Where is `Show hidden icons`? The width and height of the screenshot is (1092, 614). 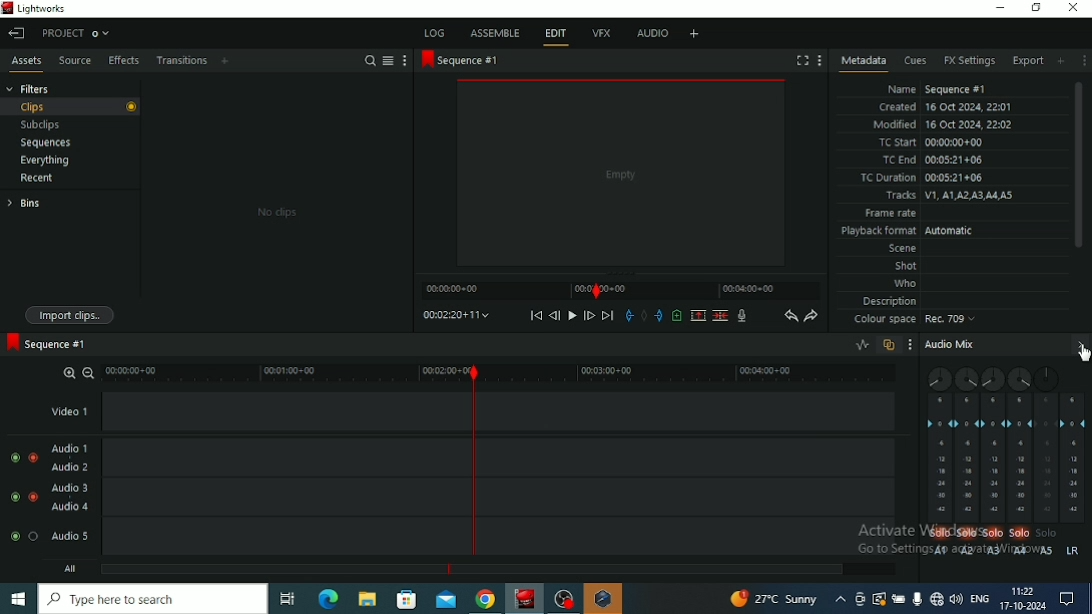
Show hidden icons is located at coordinates (840, 599).